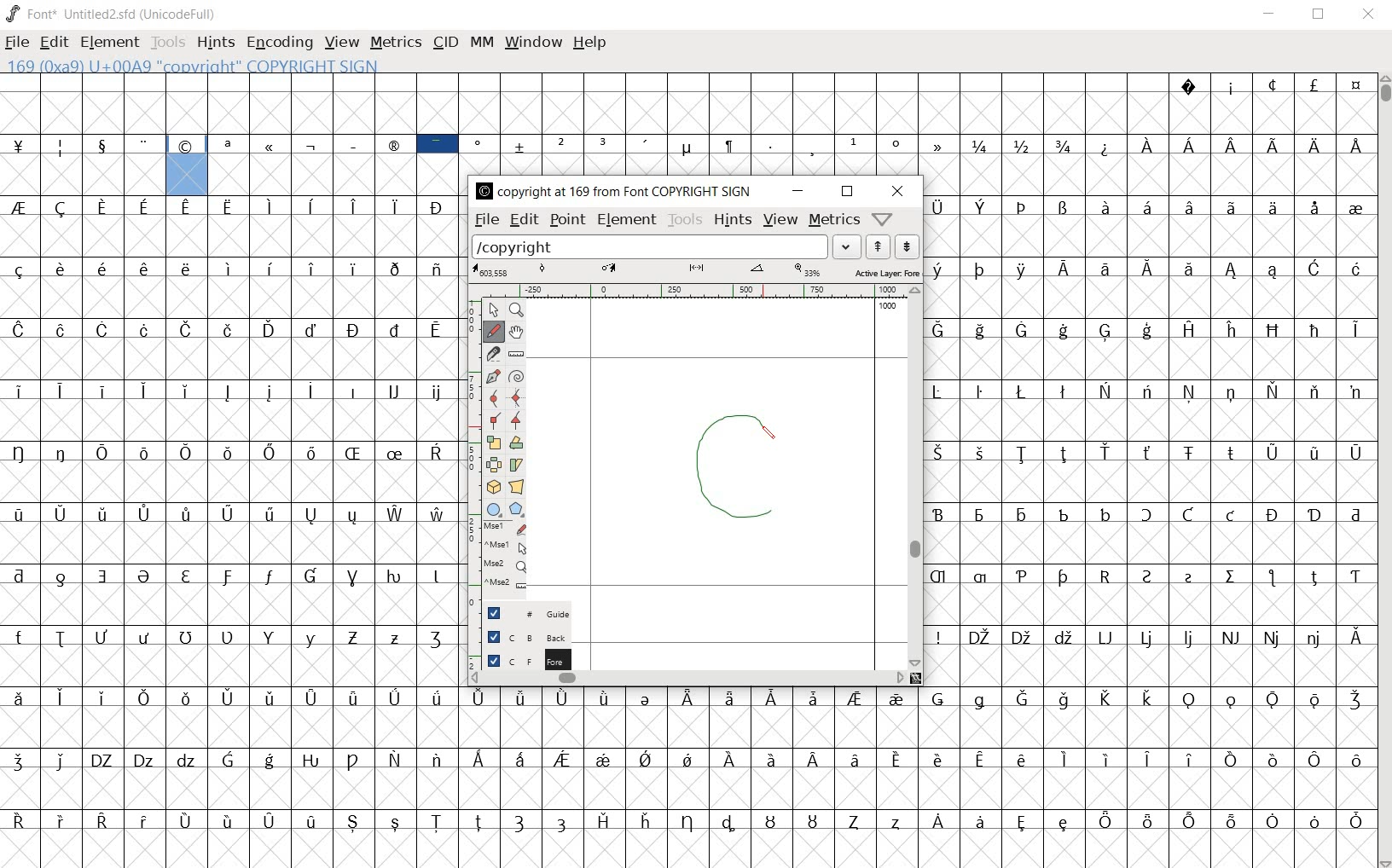 Image resolution: width=1392 pixels, height=868 pixels. I want to click on view, so click(342, 43).